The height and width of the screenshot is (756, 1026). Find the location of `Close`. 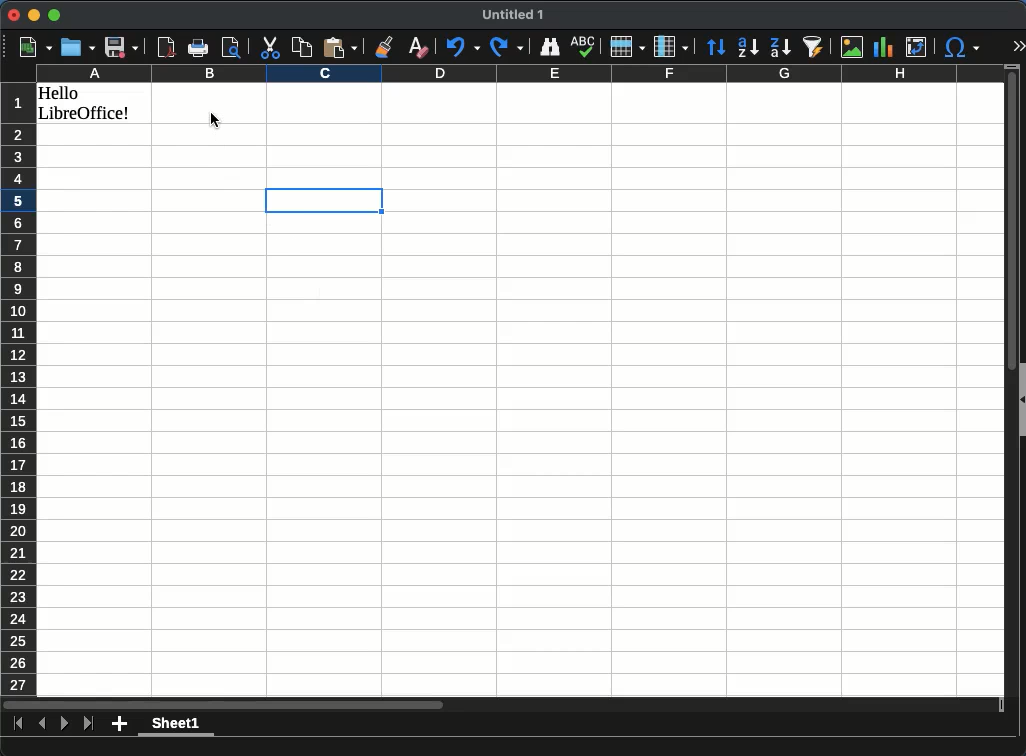

Close is located at coordinates (13, 15).